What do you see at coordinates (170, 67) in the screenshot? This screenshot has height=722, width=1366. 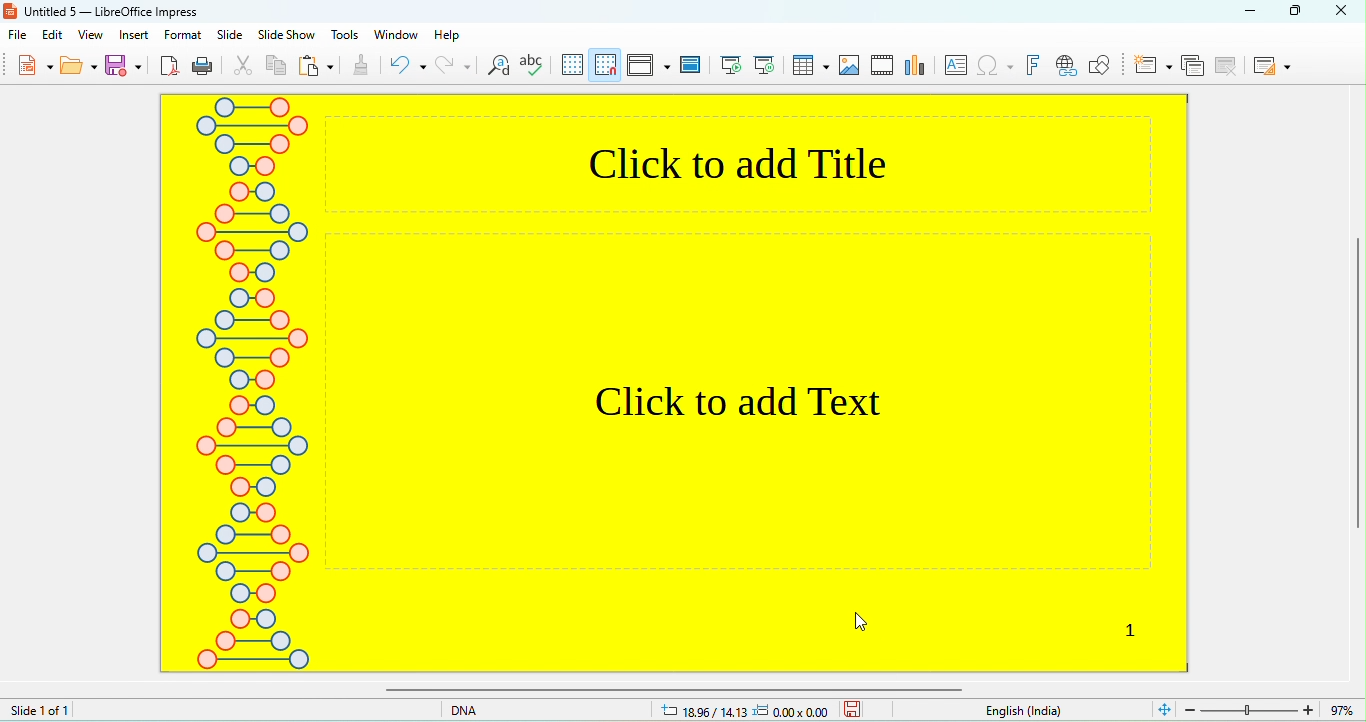 I see `export pdf` at bounding box center [170, 67].